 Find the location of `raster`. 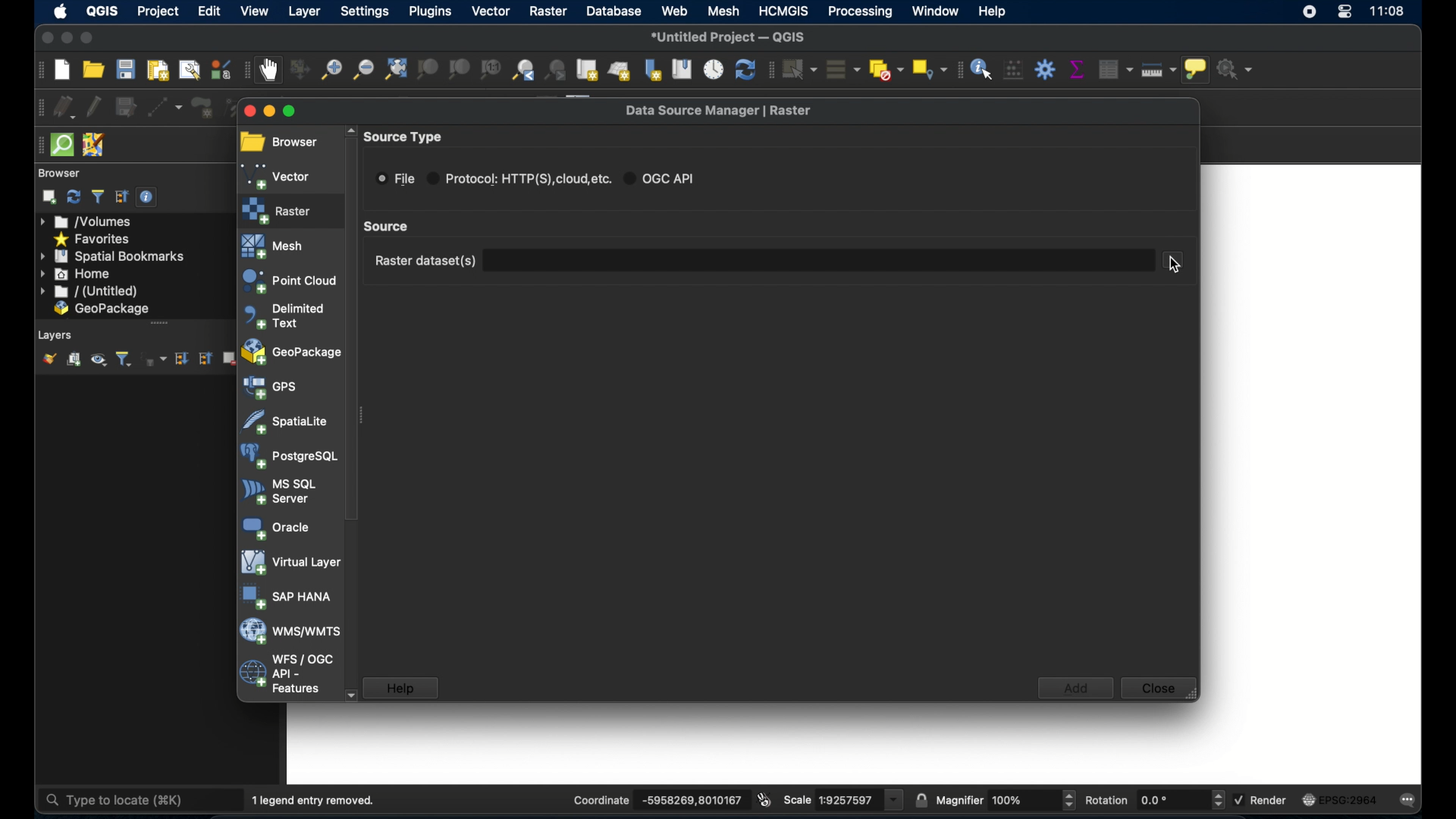

raster is located at coordinates (548, 12).